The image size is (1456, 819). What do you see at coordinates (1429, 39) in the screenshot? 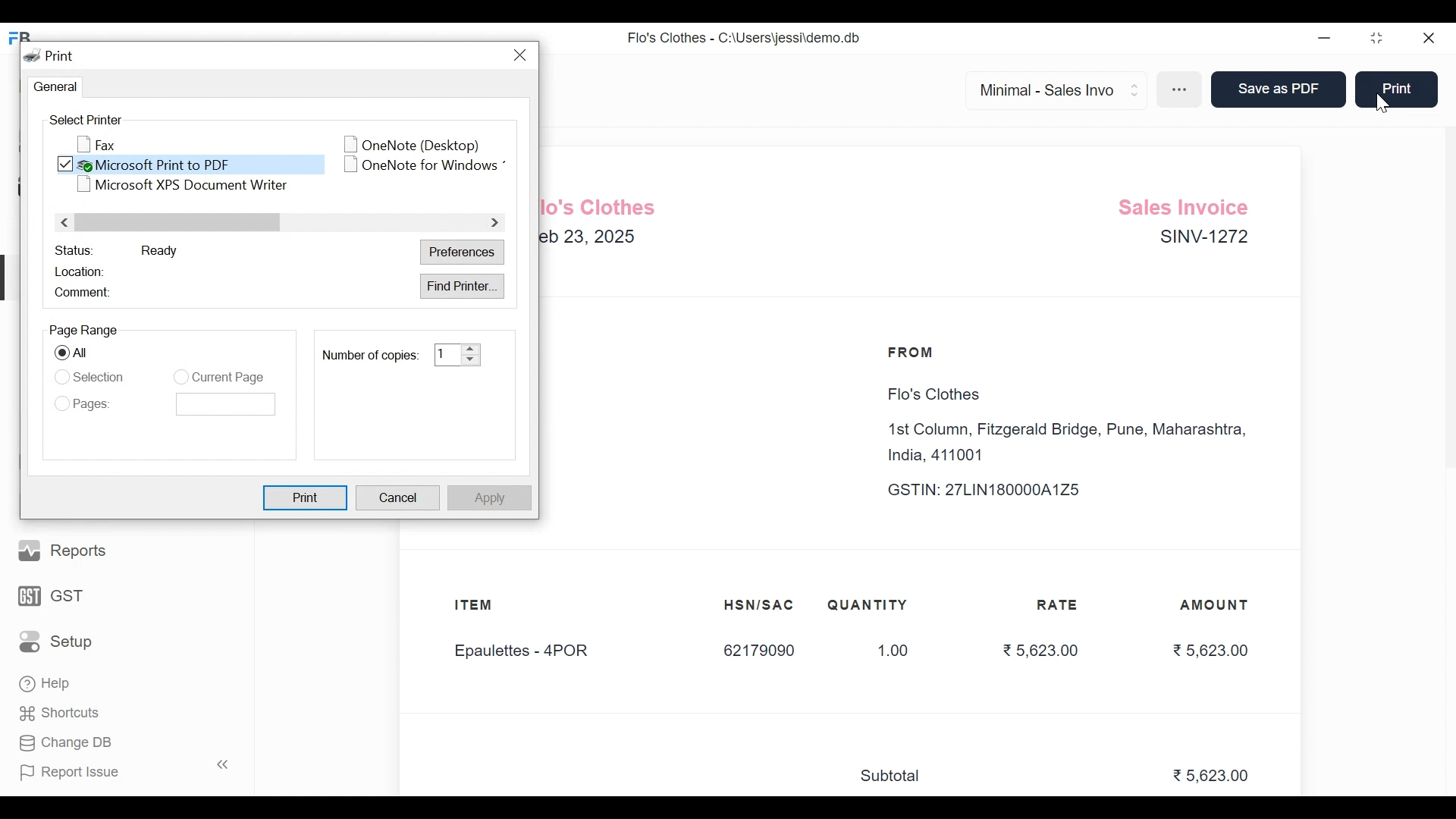
I see `Close` at bounding box center [1429, 39].